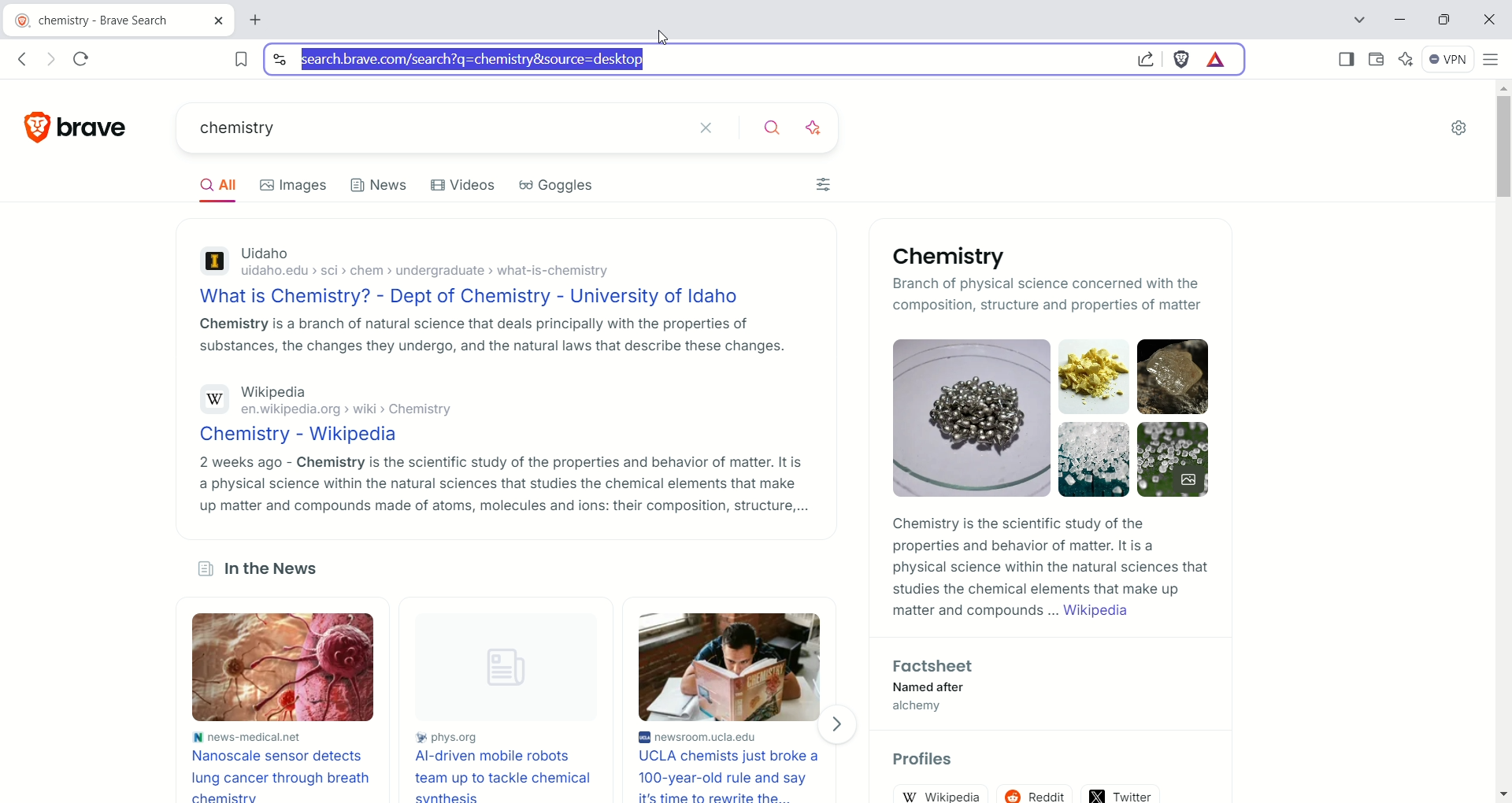  I want to click on close, so click(1487, 21).